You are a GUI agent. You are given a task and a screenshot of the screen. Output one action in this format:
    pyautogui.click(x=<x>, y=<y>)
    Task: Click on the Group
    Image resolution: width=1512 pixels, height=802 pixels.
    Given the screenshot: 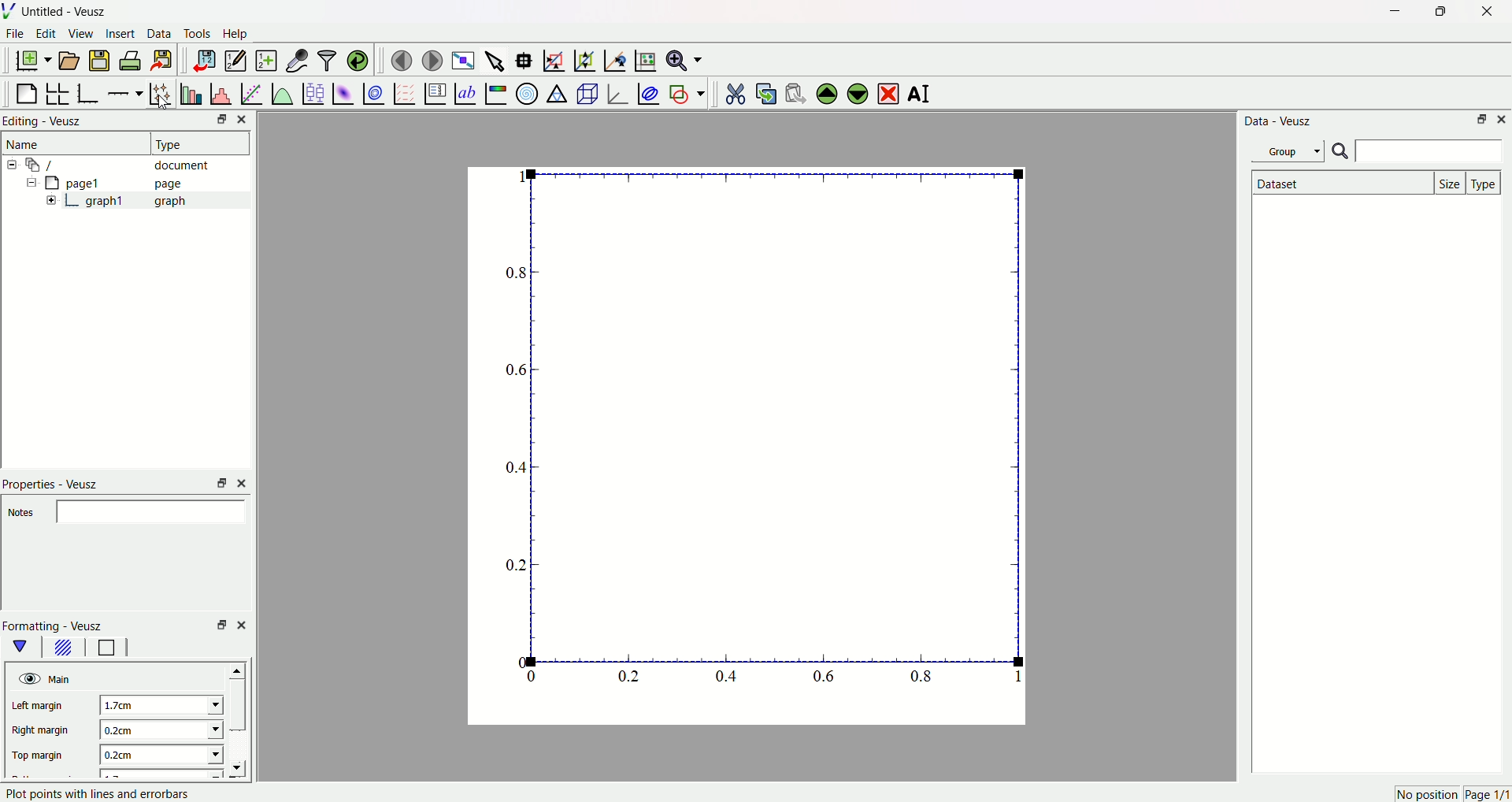 What is the action you would take?
    pyautogui.click(x=1291, y=150)
    